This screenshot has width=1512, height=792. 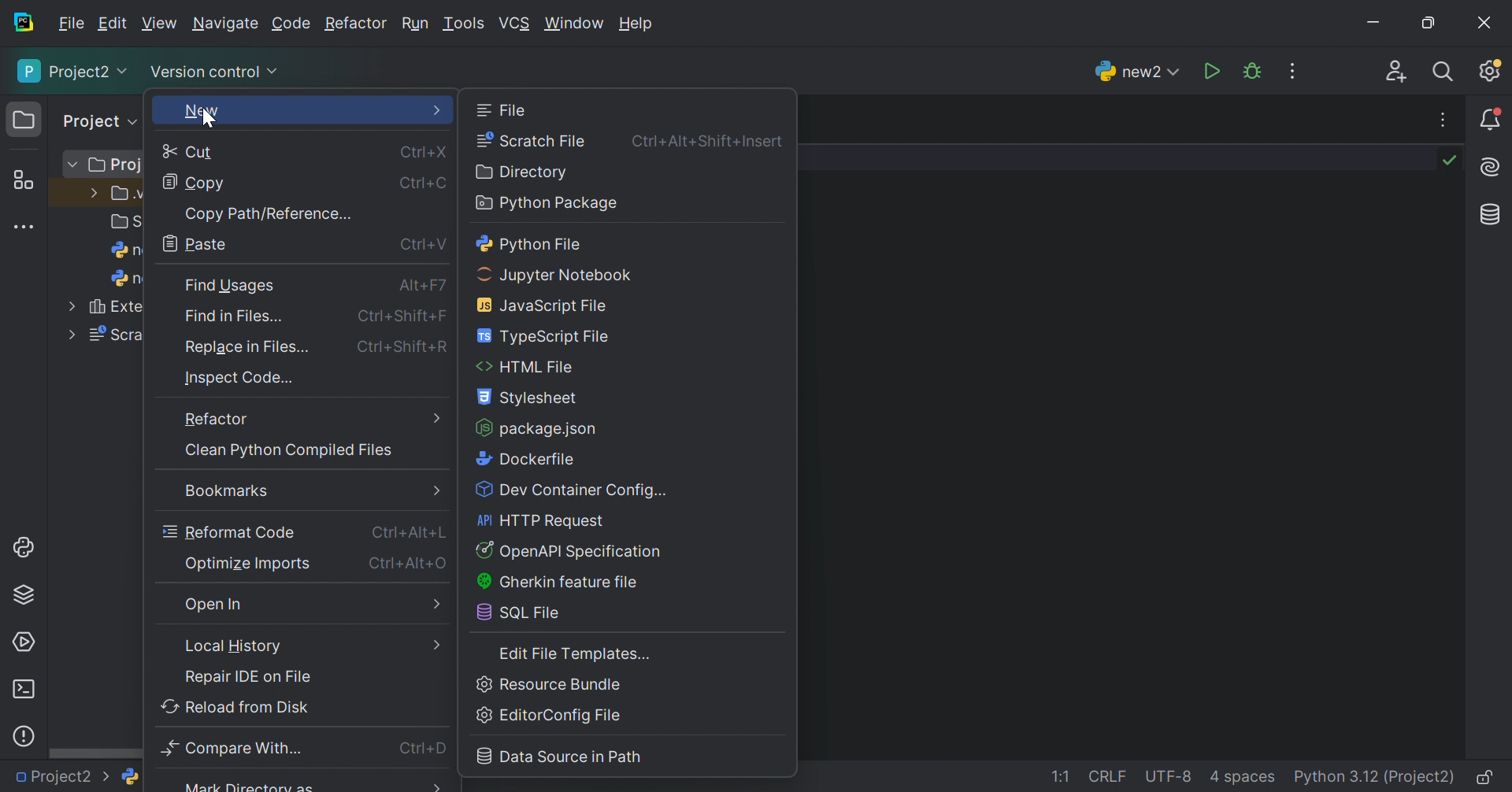 What do you see at coordinates (1488, 72) in the screenshot?
I see `Updates available` at bounding box center [1488, 72].